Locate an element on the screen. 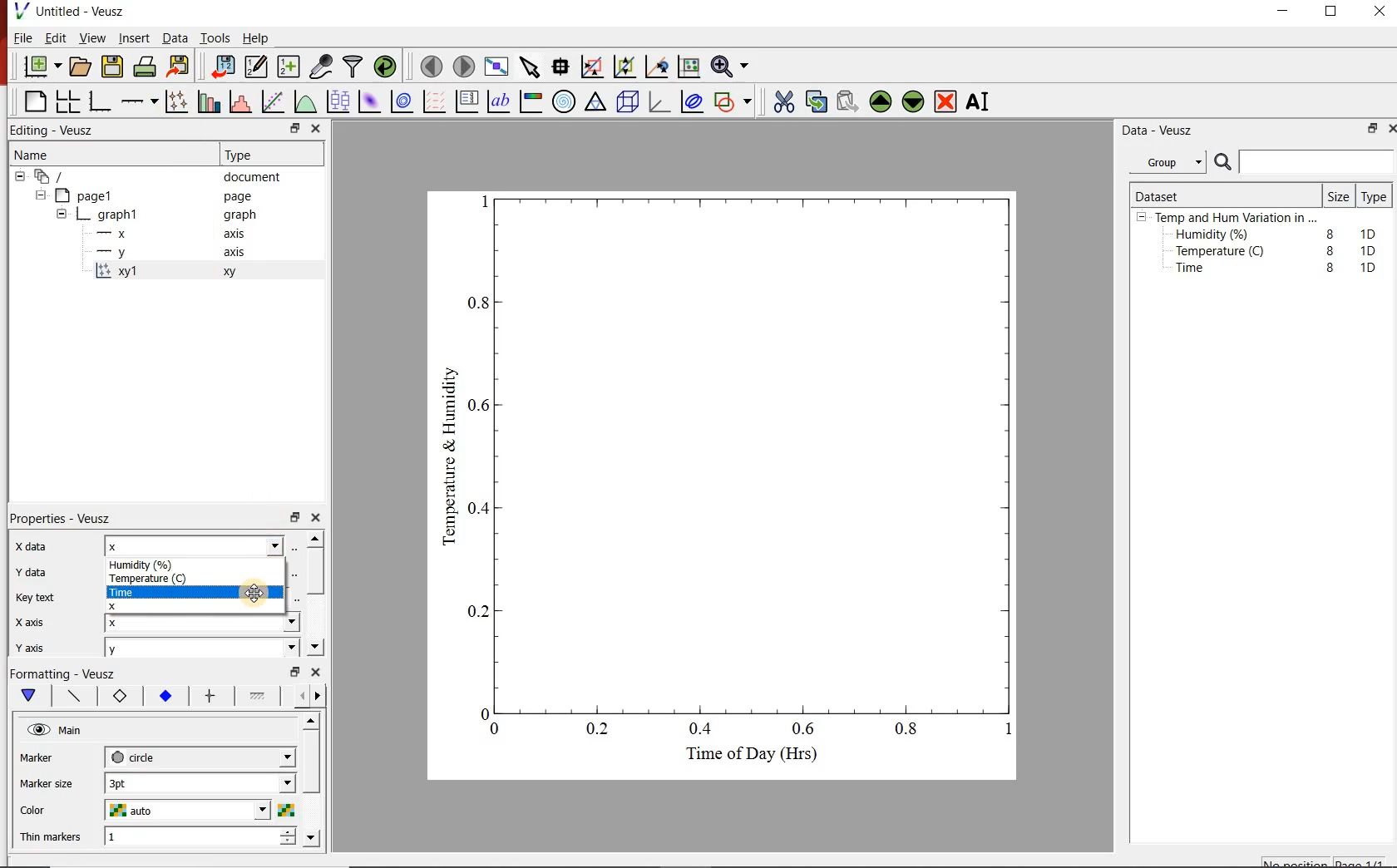 Image resolution: width=1397 pixels, height=868 pixels. page1 is located at coordinates (93, 195).